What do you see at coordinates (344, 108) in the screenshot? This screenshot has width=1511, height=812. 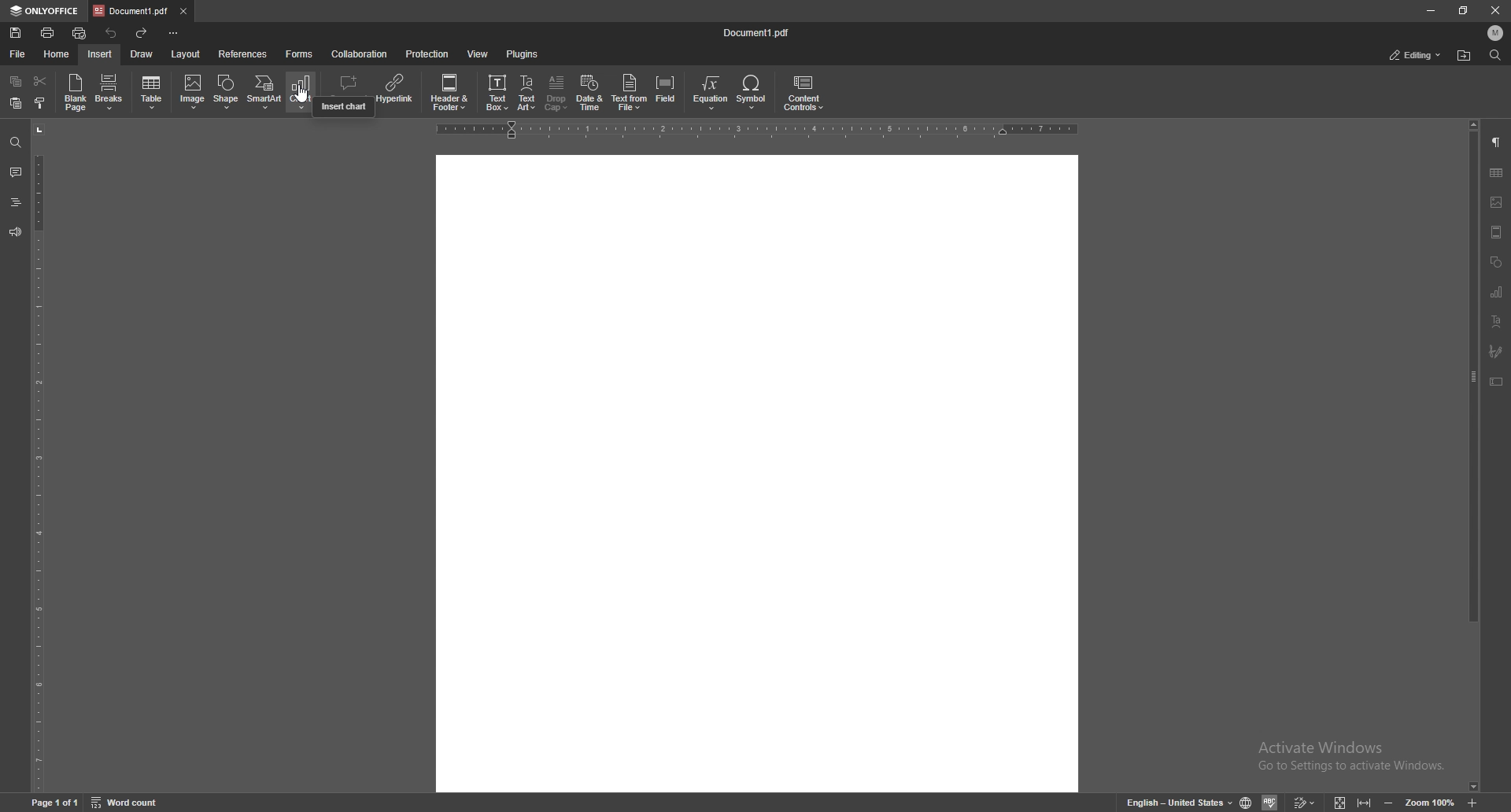 I see `cursor description` at bounding box center [344, 108].